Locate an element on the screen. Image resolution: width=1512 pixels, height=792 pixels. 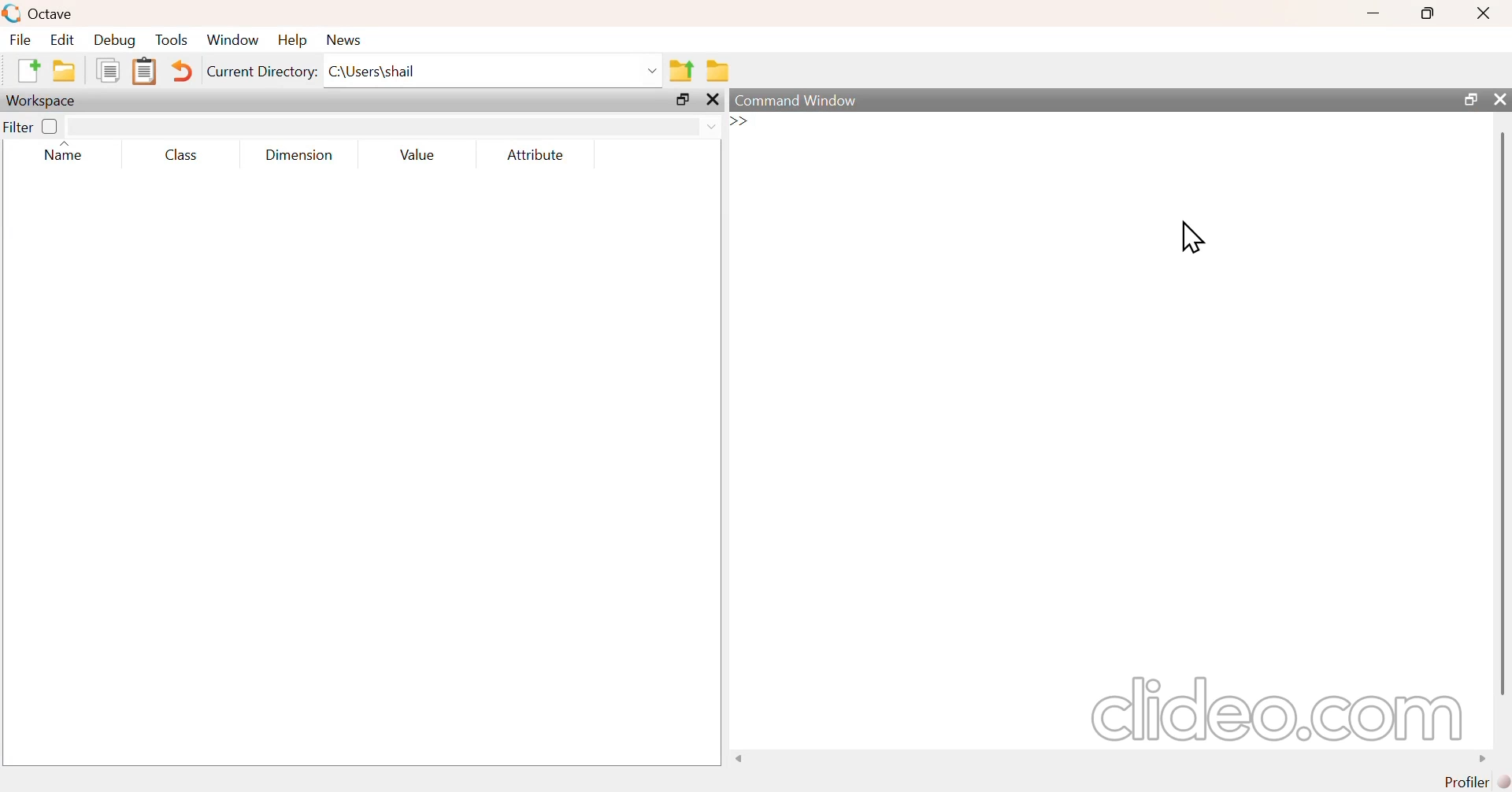
move left is located at coordinates (742, 758).